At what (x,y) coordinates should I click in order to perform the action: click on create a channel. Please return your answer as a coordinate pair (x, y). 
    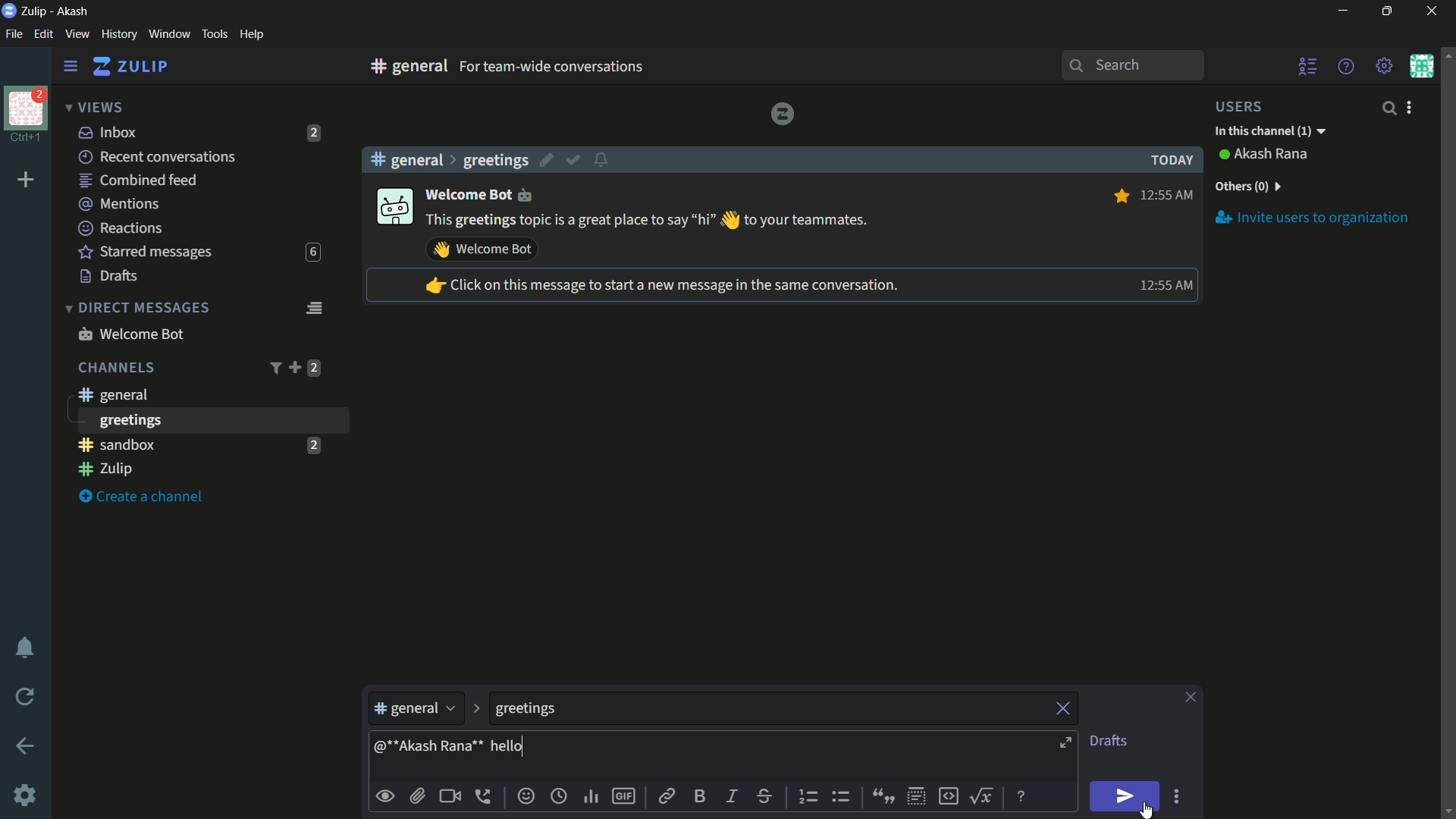
    Looking at the image, I should click on (145, 497).